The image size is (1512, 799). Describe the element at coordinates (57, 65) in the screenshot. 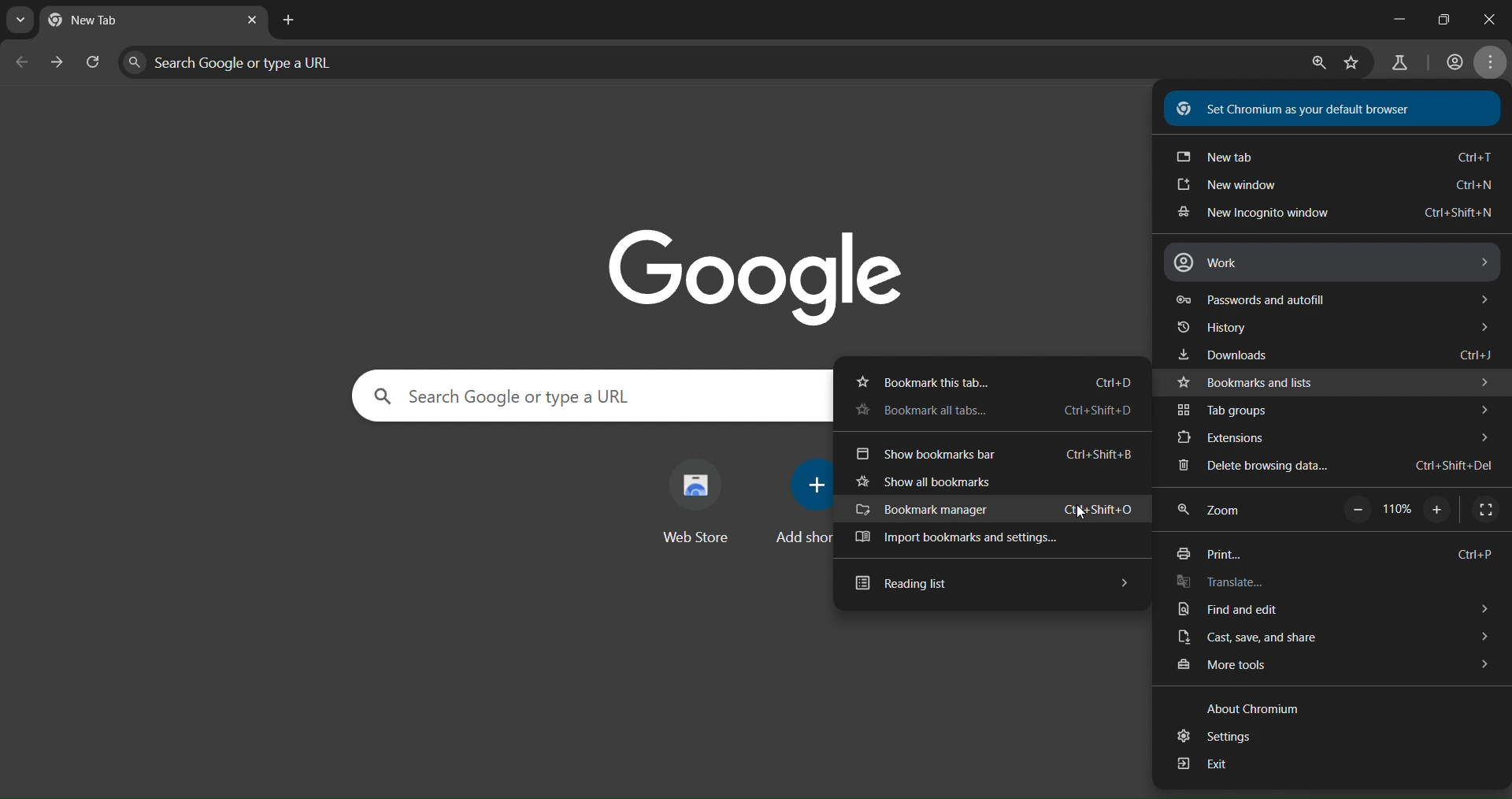

I see `go forward one page` at that location.